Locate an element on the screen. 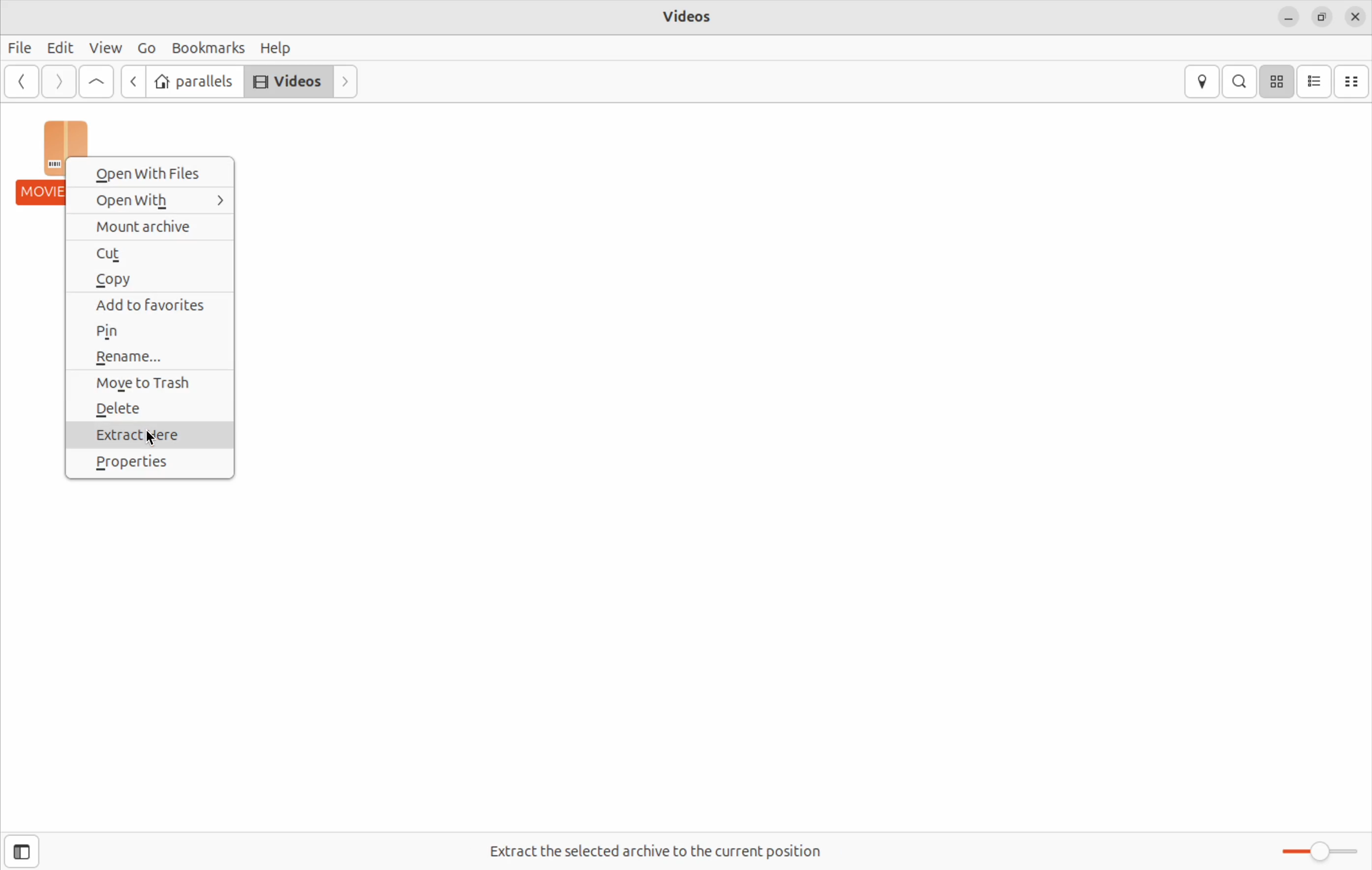 The height and width of the screenshot is (870, 1372). add to favourites is located at coordinates (156, 305).